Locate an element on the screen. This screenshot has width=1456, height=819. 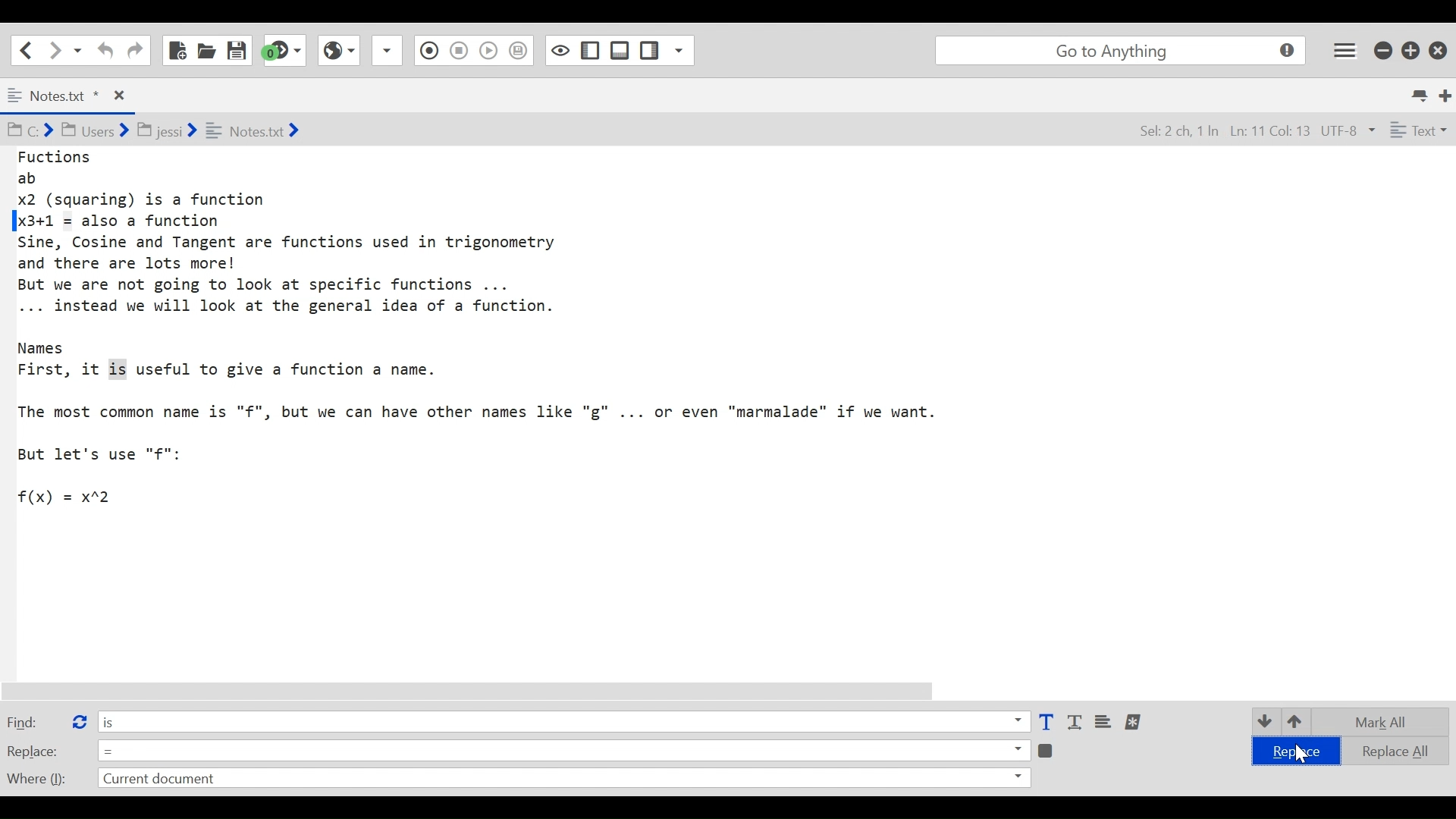
Replace Button is located at coordinates (78, 720).